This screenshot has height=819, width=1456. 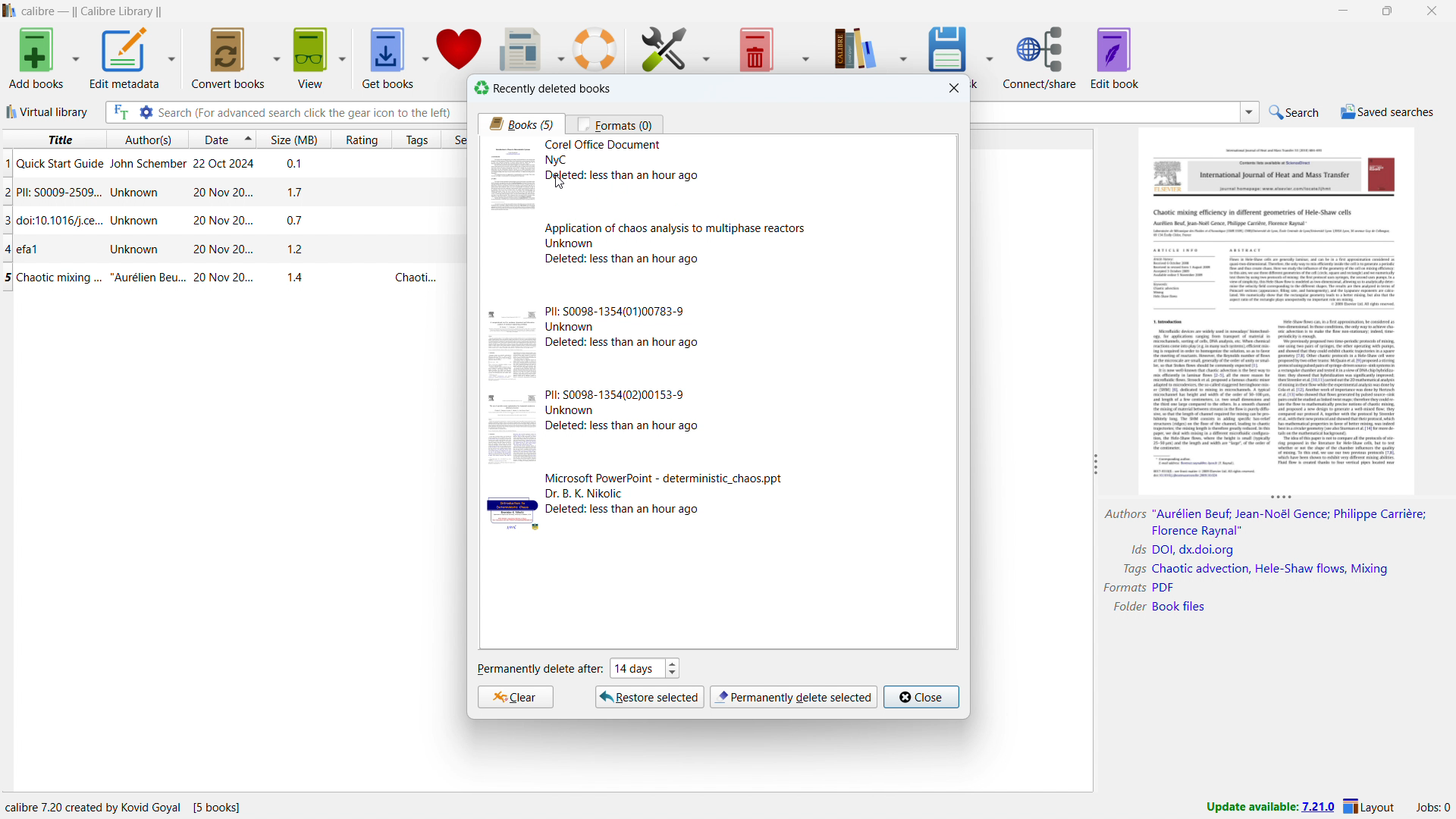 I want to click on single book entry, so click(x=224, y=278).